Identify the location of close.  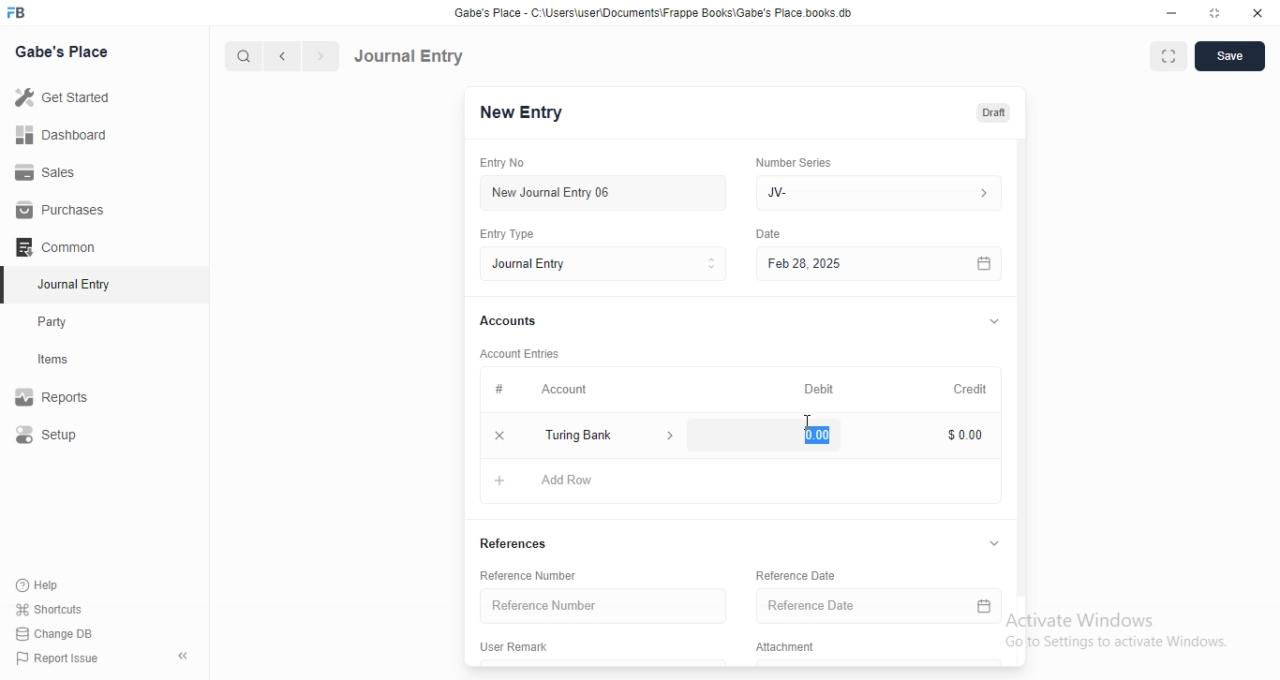
(1258, 14).